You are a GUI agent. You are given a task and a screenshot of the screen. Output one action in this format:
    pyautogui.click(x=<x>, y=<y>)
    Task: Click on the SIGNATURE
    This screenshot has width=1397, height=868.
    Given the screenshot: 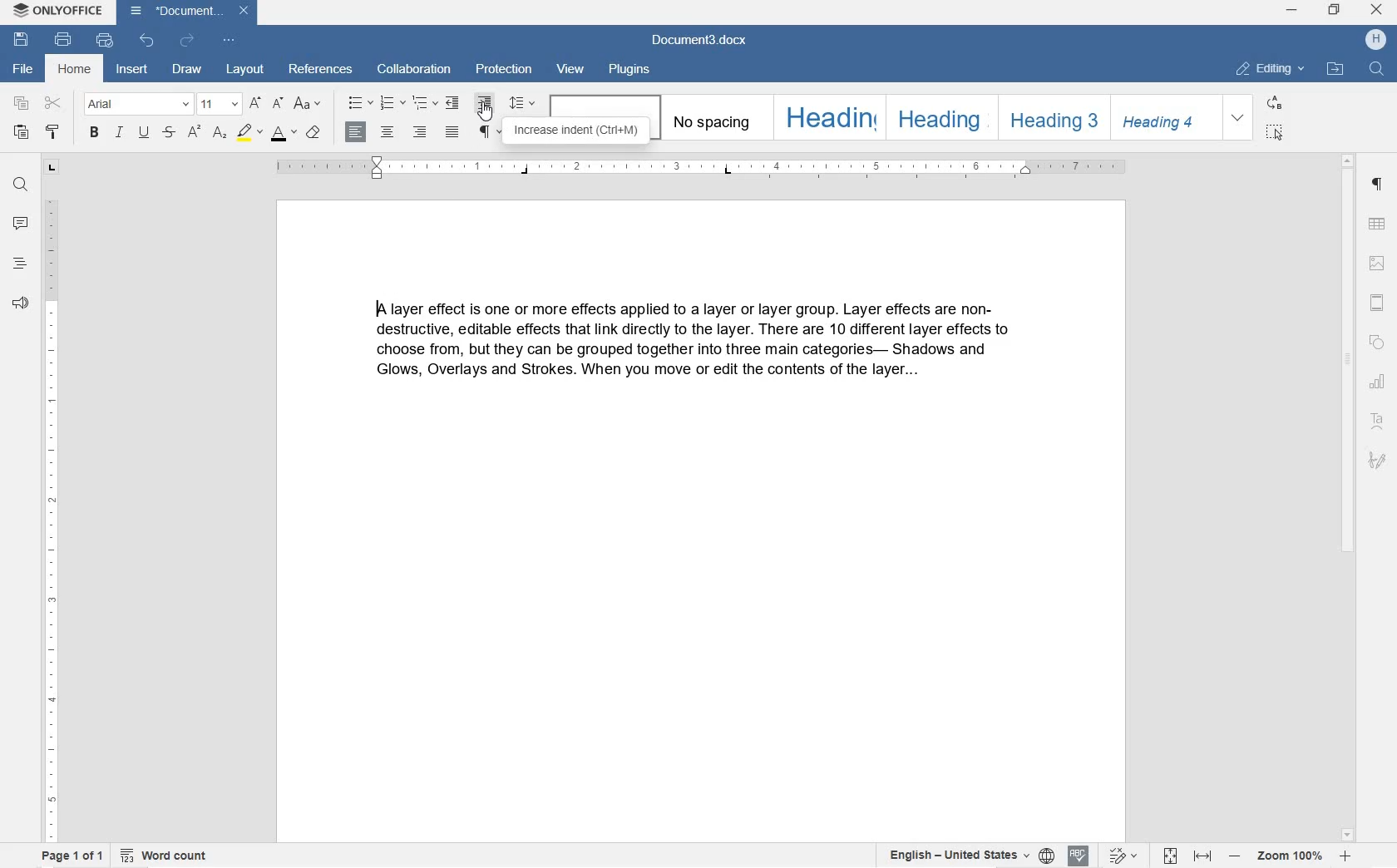 What is the action you would take?
    pyautogui.click(x=1379, y=463)
    